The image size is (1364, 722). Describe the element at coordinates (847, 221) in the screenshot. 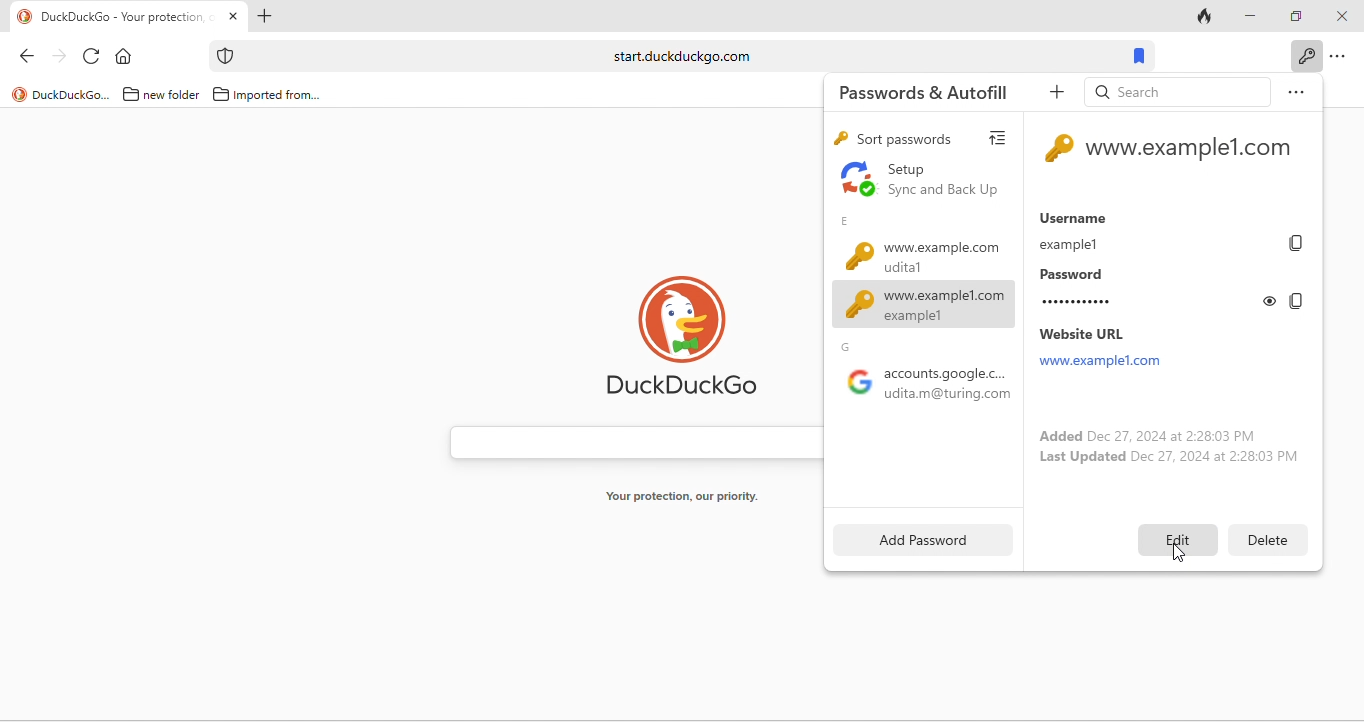

I see `e` at that location.